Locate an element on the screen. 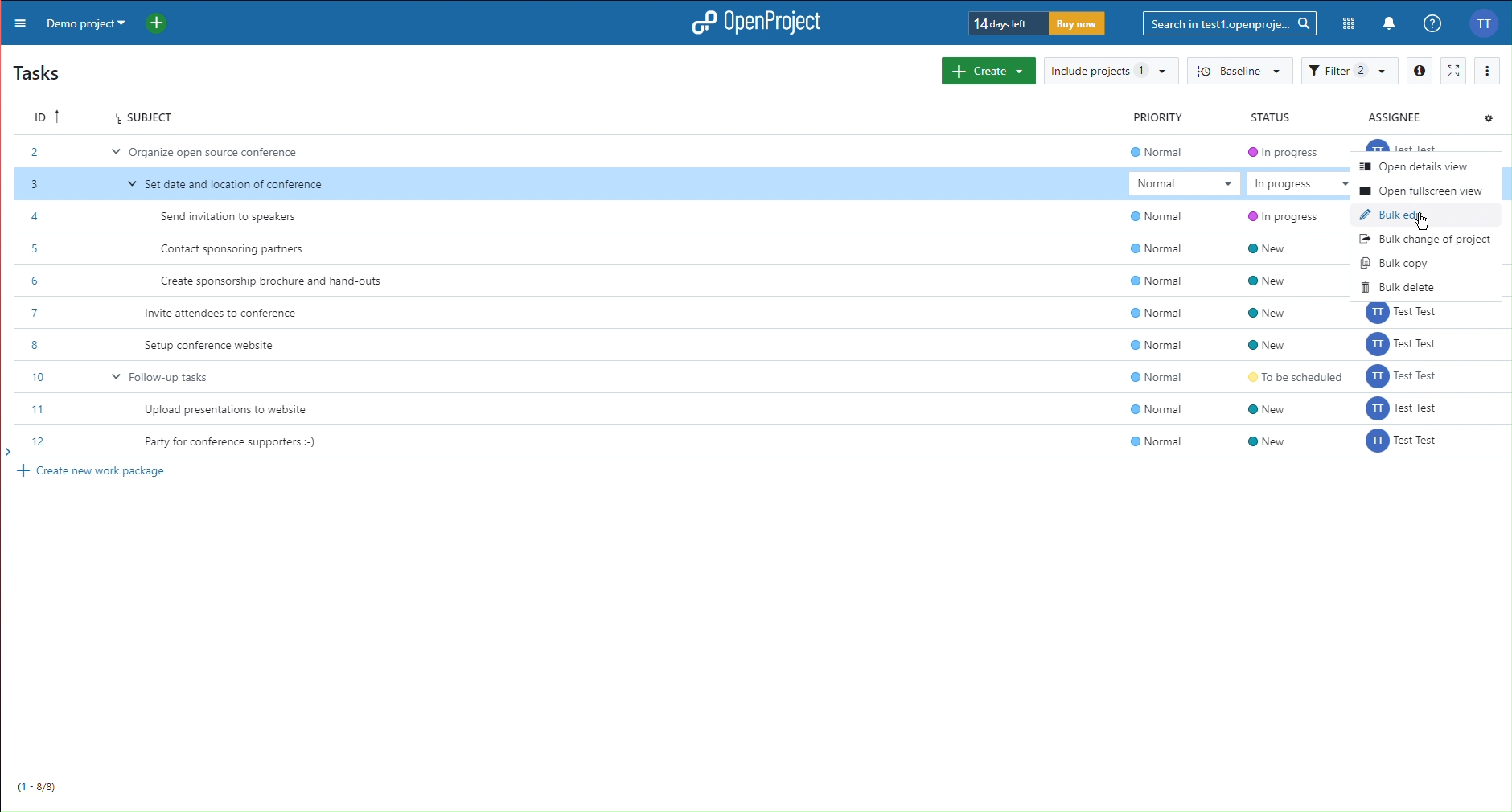  More is located at coordinates (17, 22).